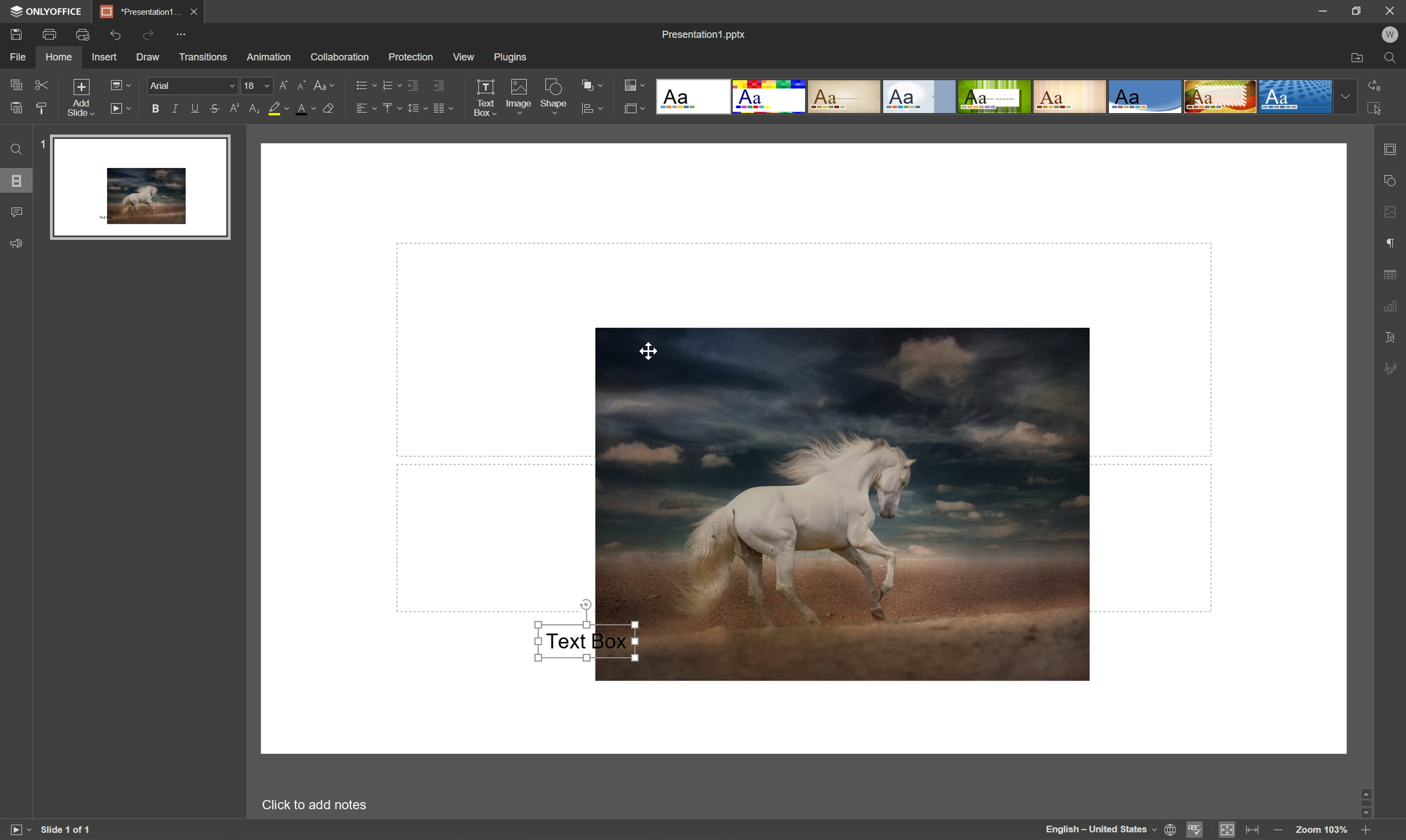 The height and width of the screenshot is (840, 1406). What do you see at coordinates (1348, 96) in the screenshot?
I see `Drop Down` at bounding box center [1348, 96].